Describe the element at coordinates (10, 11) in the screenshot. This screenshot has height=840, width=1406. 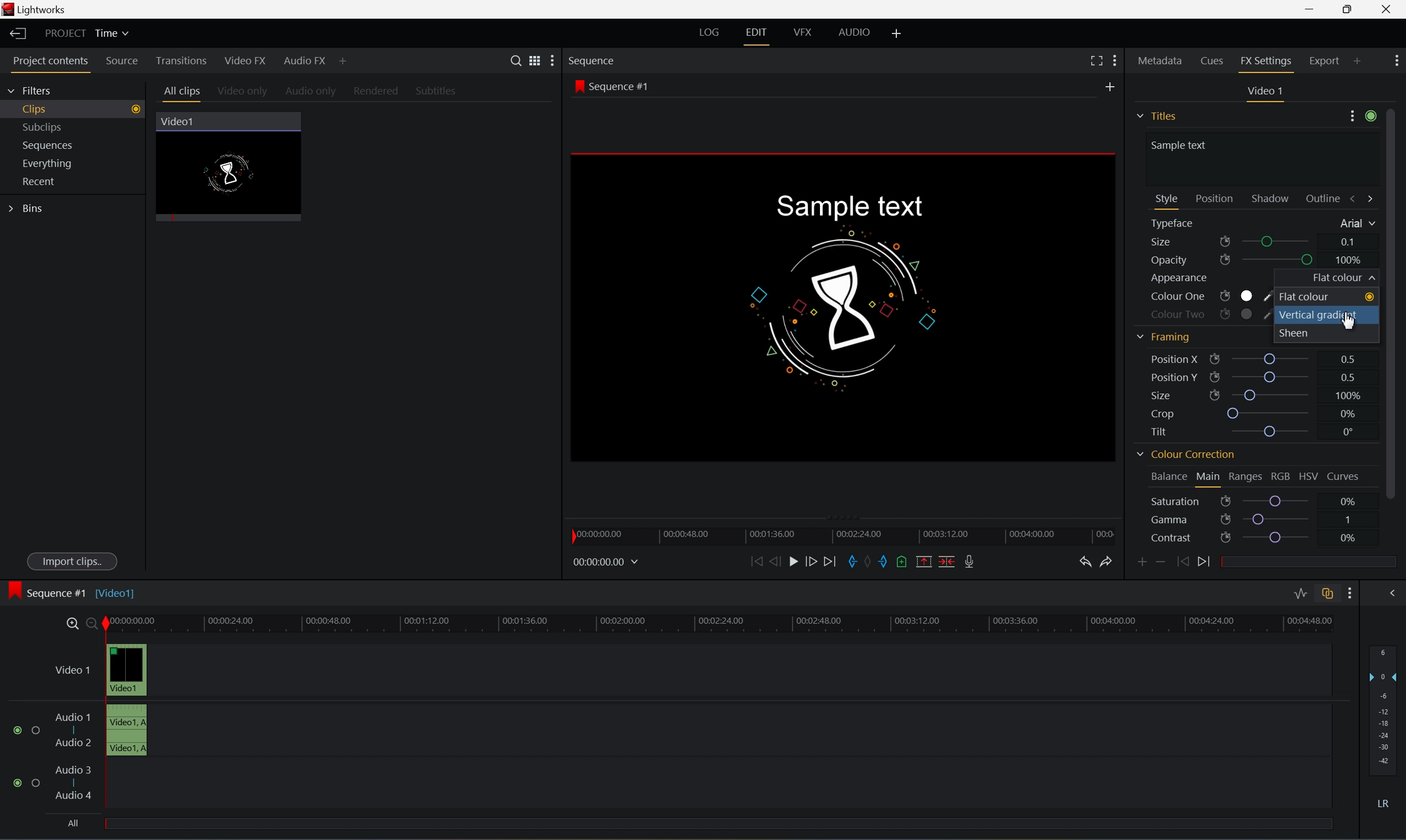
I see `logo` at that location.